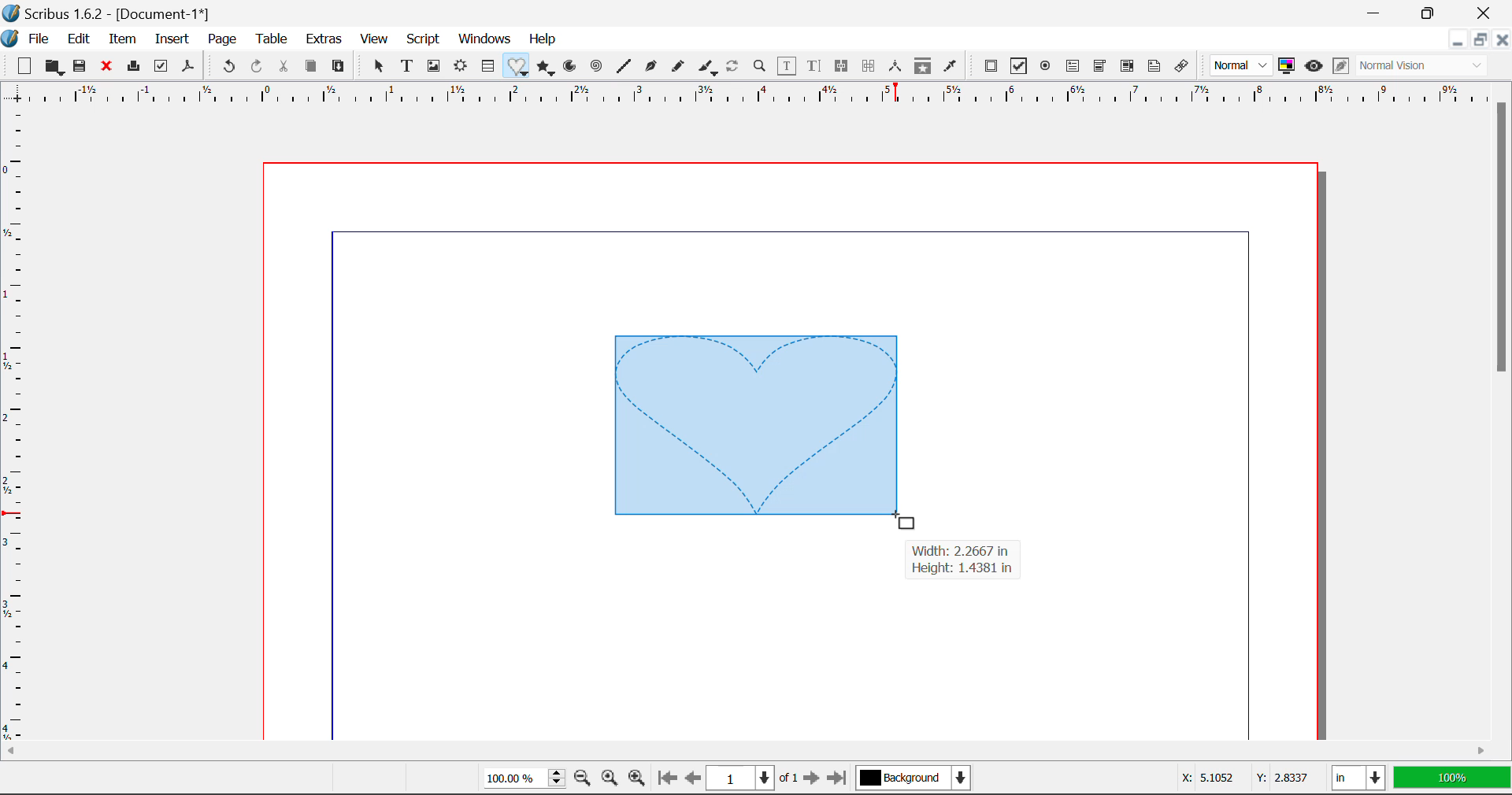 This screenshot has width=1512, height=795. Describe the element at coordinates (951, 66) in the screenshot. I see `Eyedropper` at that location.